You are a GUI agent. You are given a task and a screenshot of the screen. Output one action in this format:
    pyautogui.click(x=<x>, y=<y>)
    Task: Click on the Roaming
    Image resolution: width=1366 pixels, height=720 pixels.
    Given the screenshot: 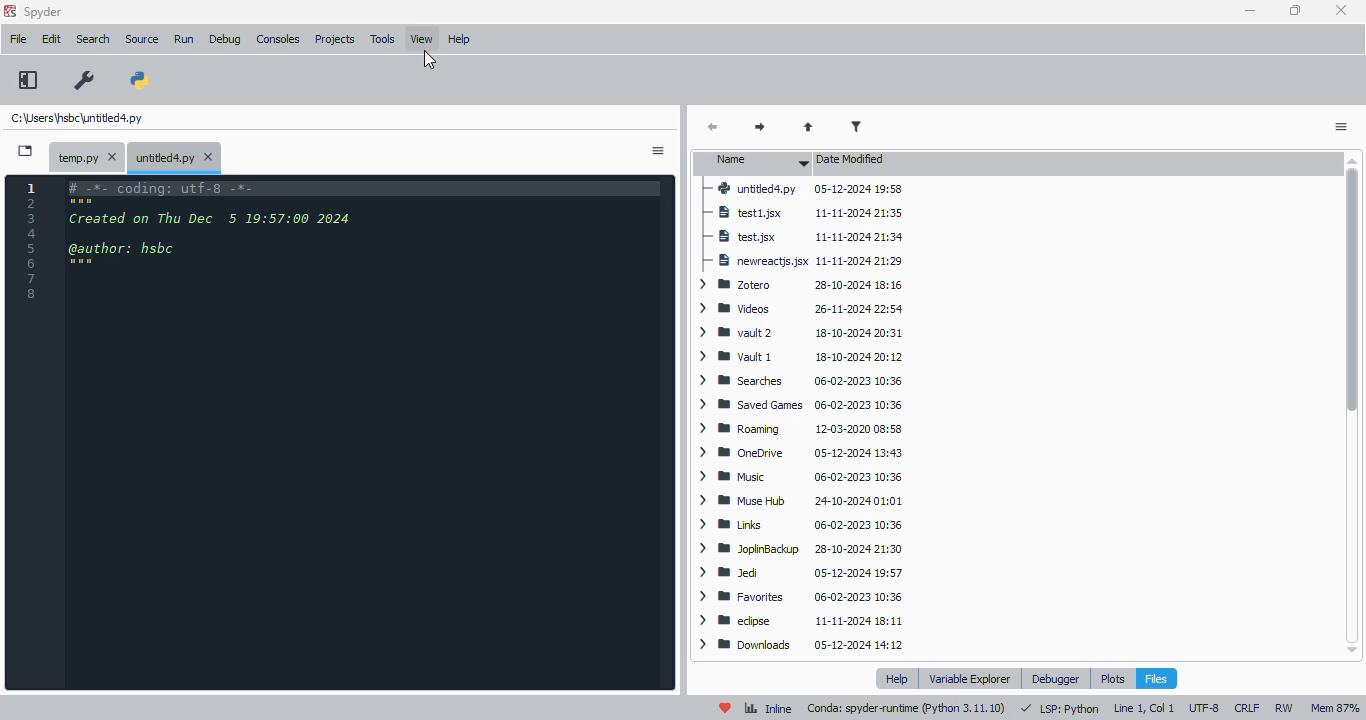 What is the action you would take?
    pyautogui.click(x=799, y=428)
    